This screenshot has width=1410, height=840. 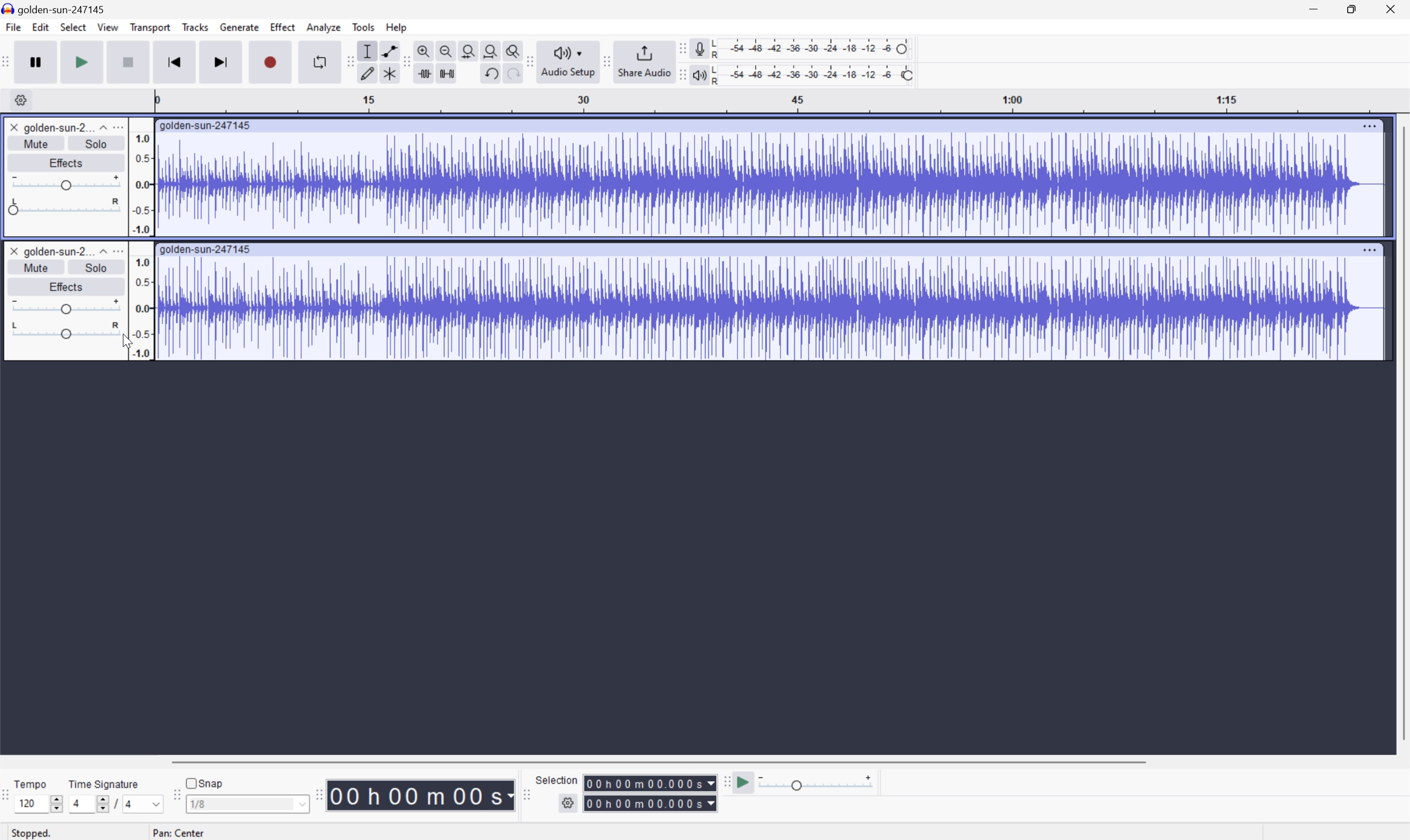 What do you see at coordinates (816, 785) in the screenshot?
I see `Playback: 1.000 x` at bounding box center [816, 785].